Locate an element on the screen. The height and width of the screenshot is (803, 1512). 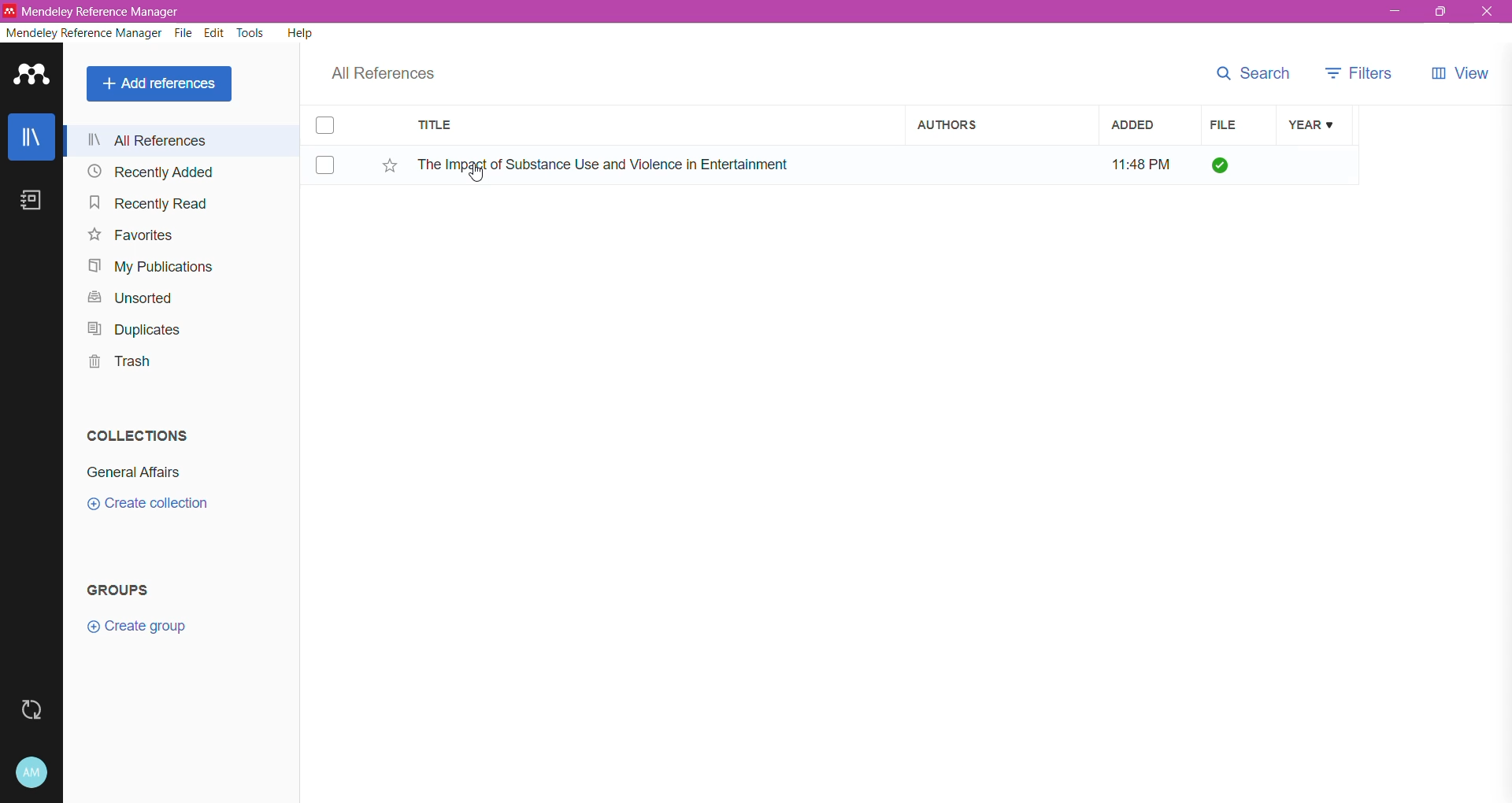
Click to Add Item to Favorites is located at coordinates (388, 164).